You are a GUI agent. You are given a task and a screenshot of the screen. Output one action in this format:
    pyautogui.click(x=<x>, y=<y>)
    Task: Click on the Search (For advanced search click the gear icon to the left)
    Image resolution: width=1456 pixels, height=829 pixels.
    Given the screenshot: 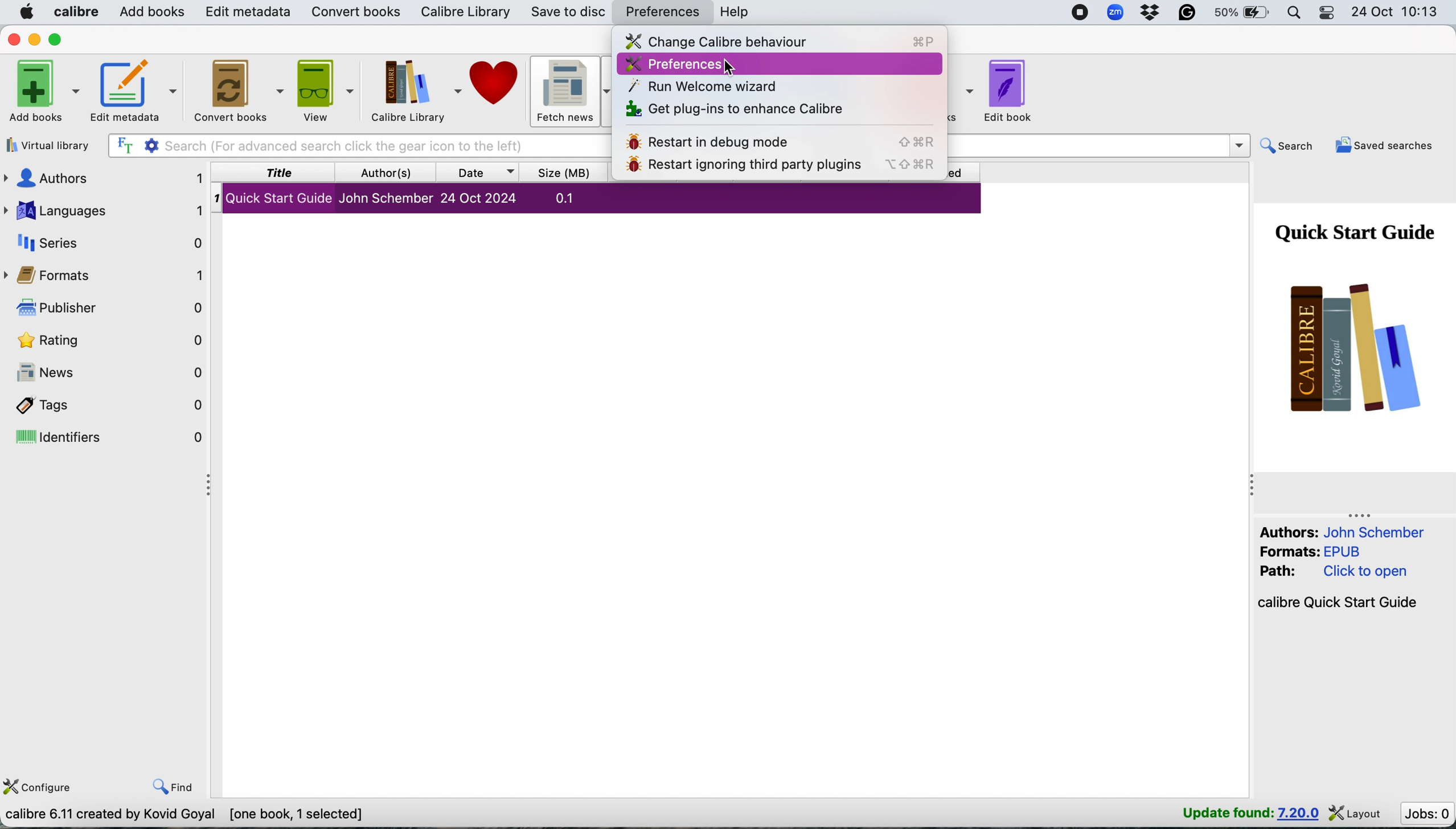 What is the action you would take?
    pyautogui.click(x=358, y=145)
    